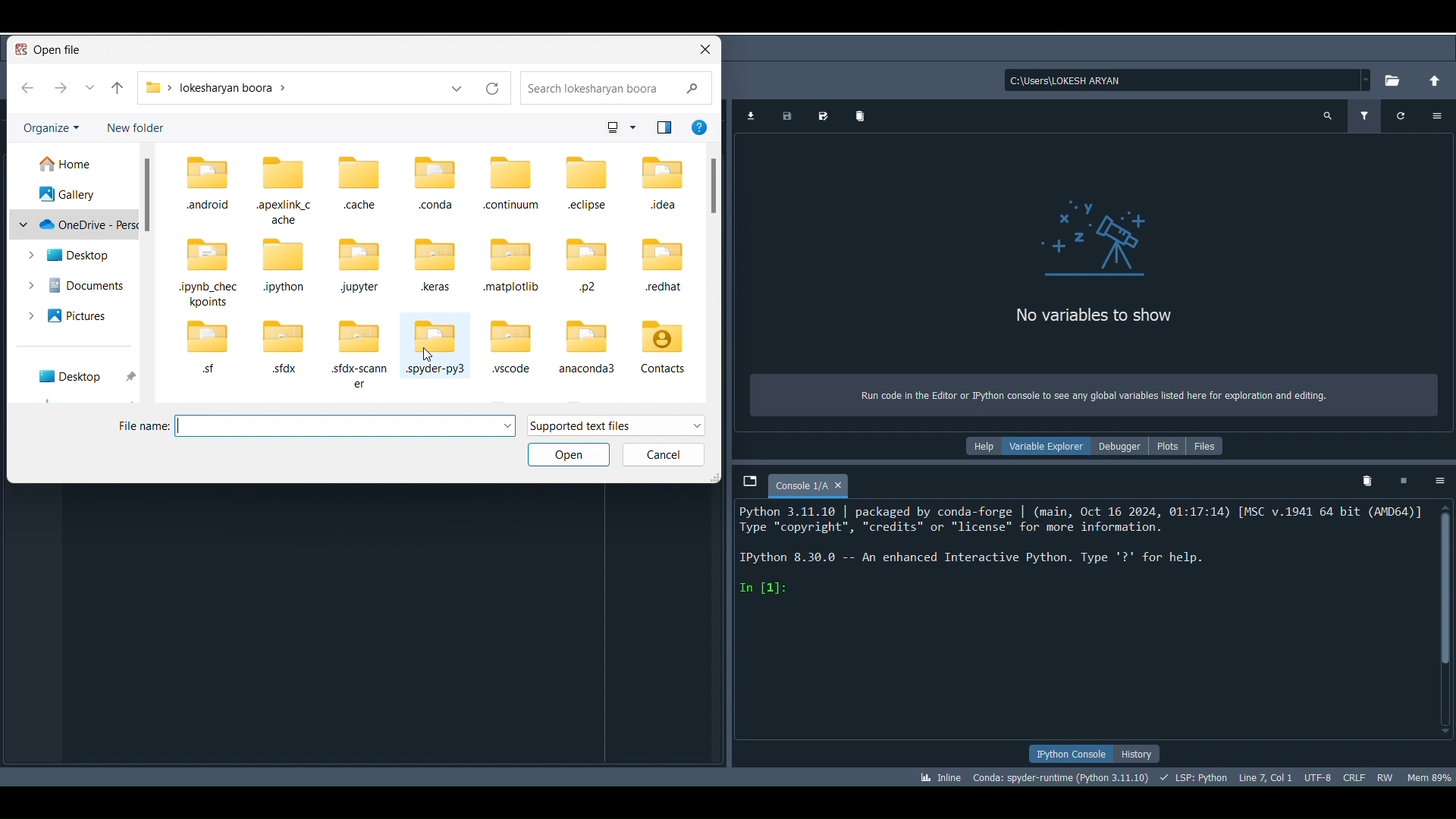 The height and width of the screenshot is (819, 1456). What do you see at coordinates (435, 184) in the screenshot?
I see `Folder` at bounding box center [435, 184].